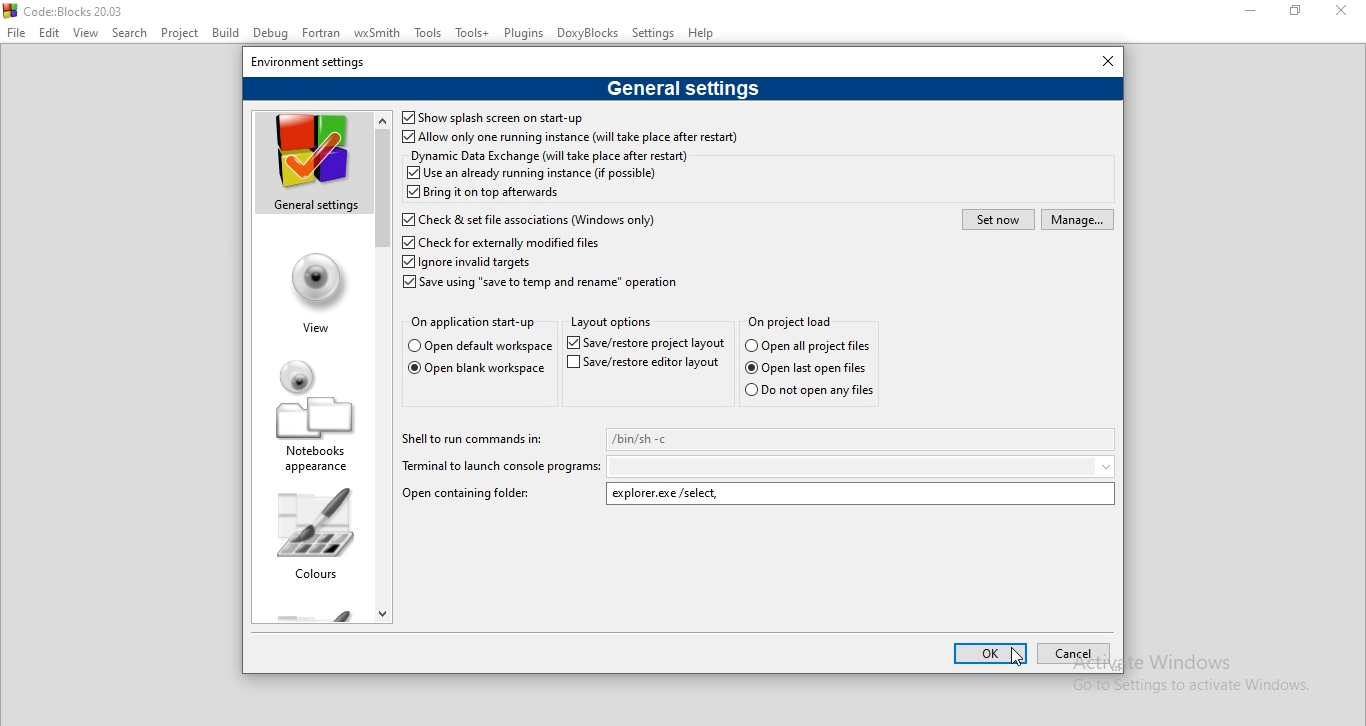 Image resolution: width=1366 pixels, height=726 pixels. I want to click on Help, so click(702, 33).